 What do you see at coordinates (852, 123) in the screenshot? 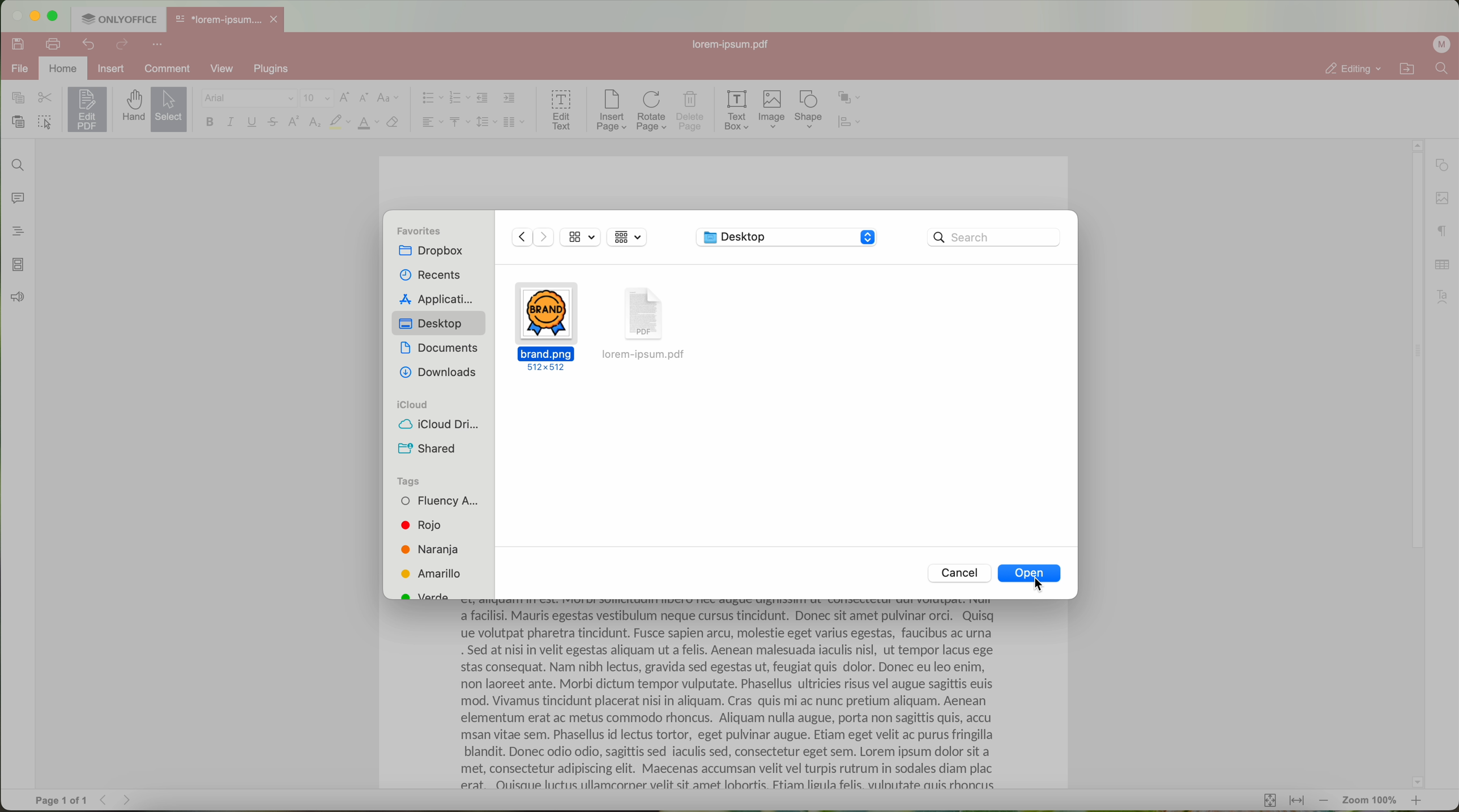
I see `align shape` at bounding box center [852, 123].